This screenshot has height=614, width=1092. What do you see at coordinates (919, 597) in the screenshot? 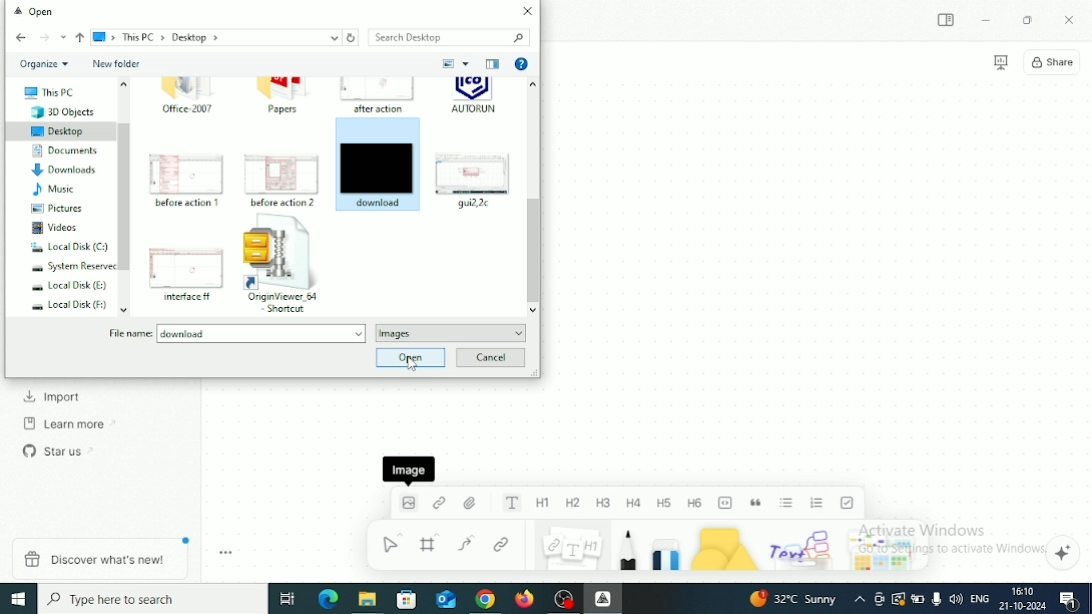
I see `Charging, plugged in` at bounding box center [919, 597].